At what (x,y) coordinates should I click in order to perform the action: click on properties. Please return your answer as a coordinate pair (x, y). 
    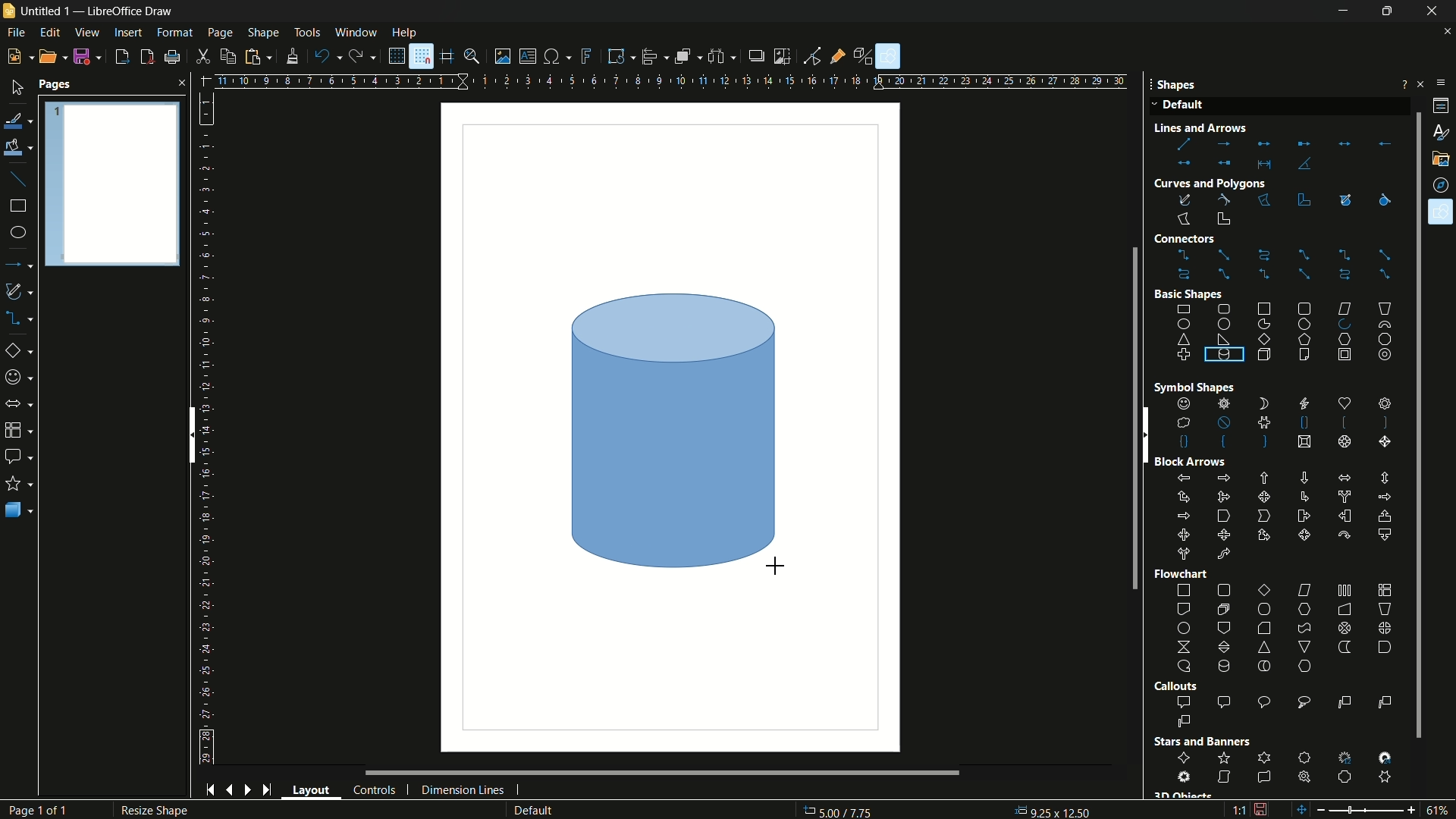
    Looking at the image, I should click on (1441, 106).